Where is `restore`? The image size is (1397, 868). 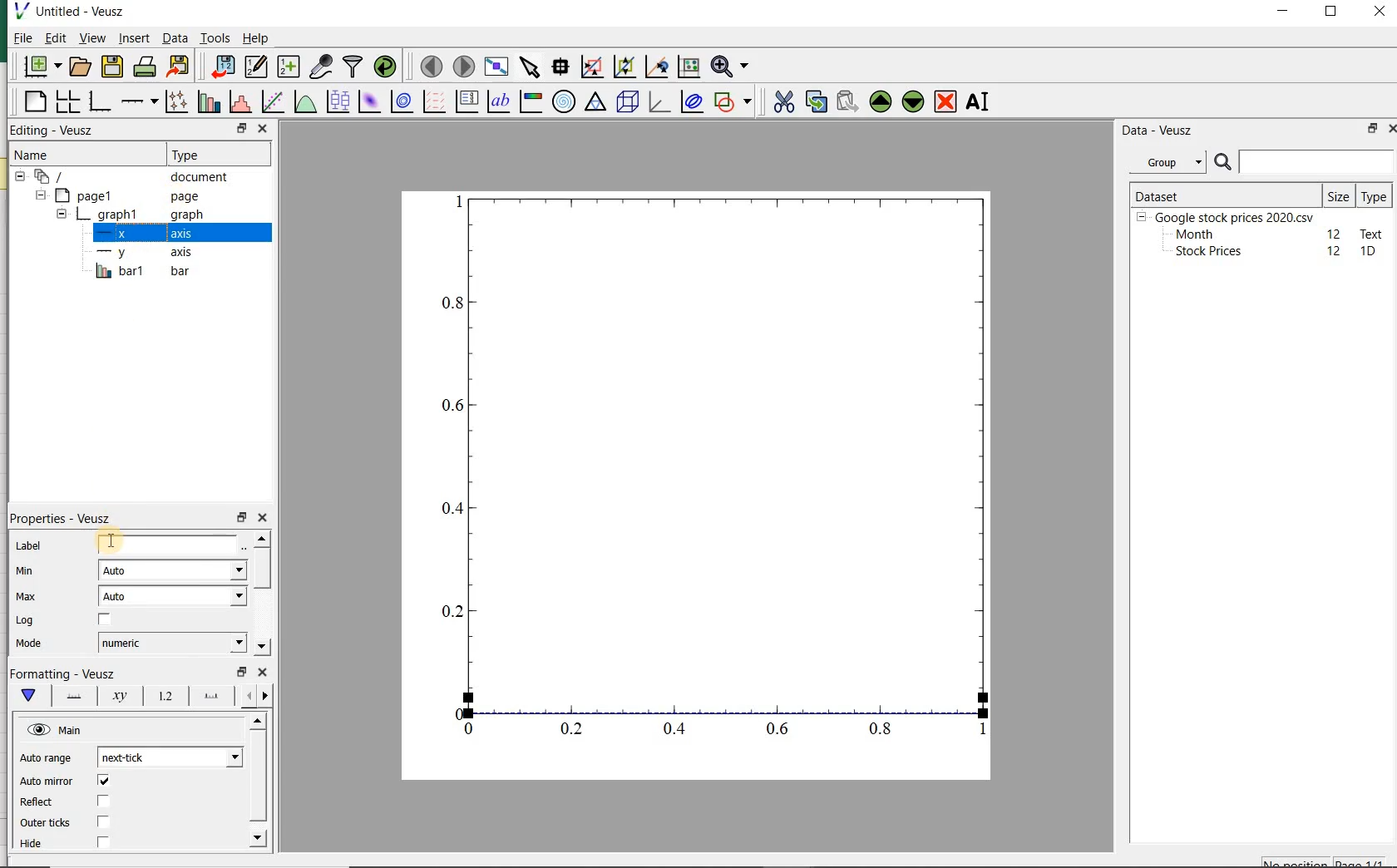 restore is located at coordinates (1370, 130).